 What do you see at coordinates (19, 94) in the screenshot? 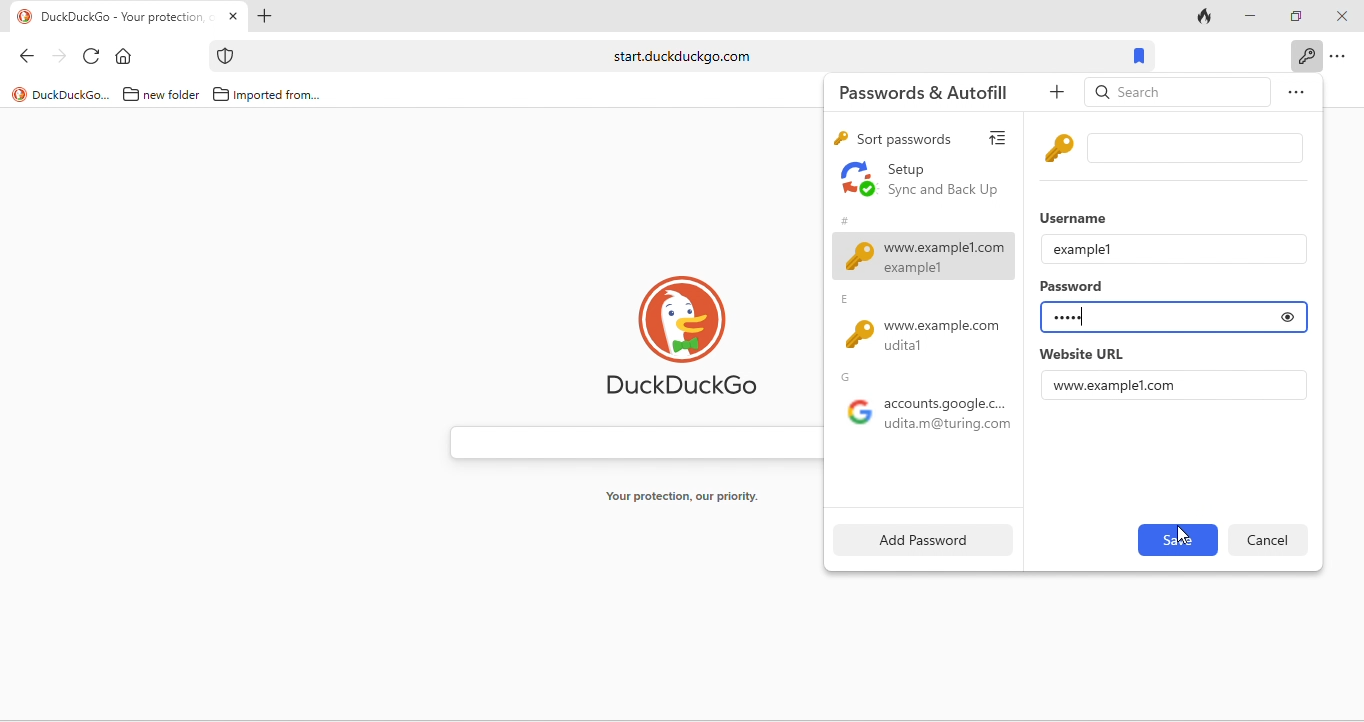
I see `logo` at bounding box center [19, 94].